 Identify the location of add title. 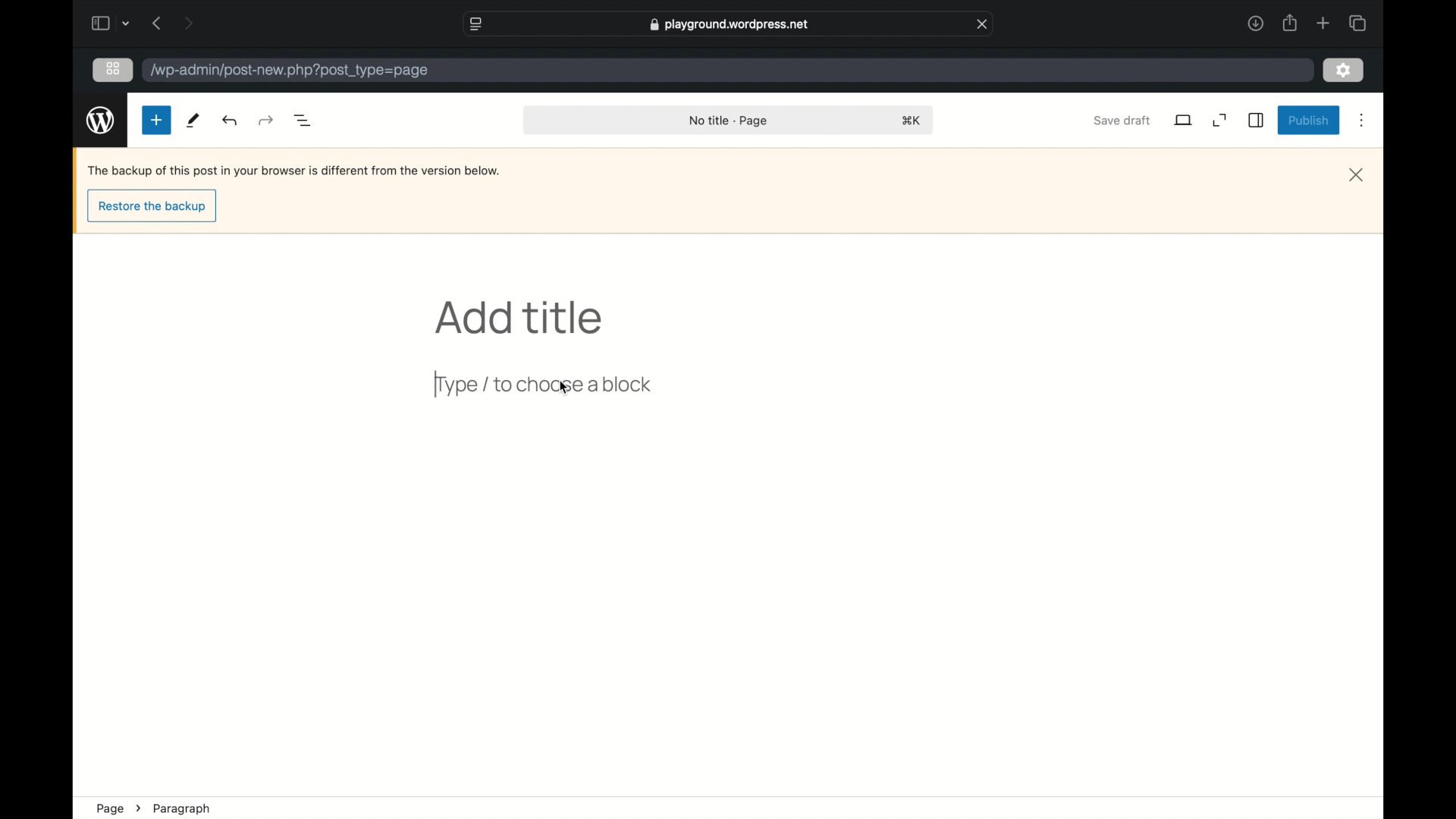
(522, 318).